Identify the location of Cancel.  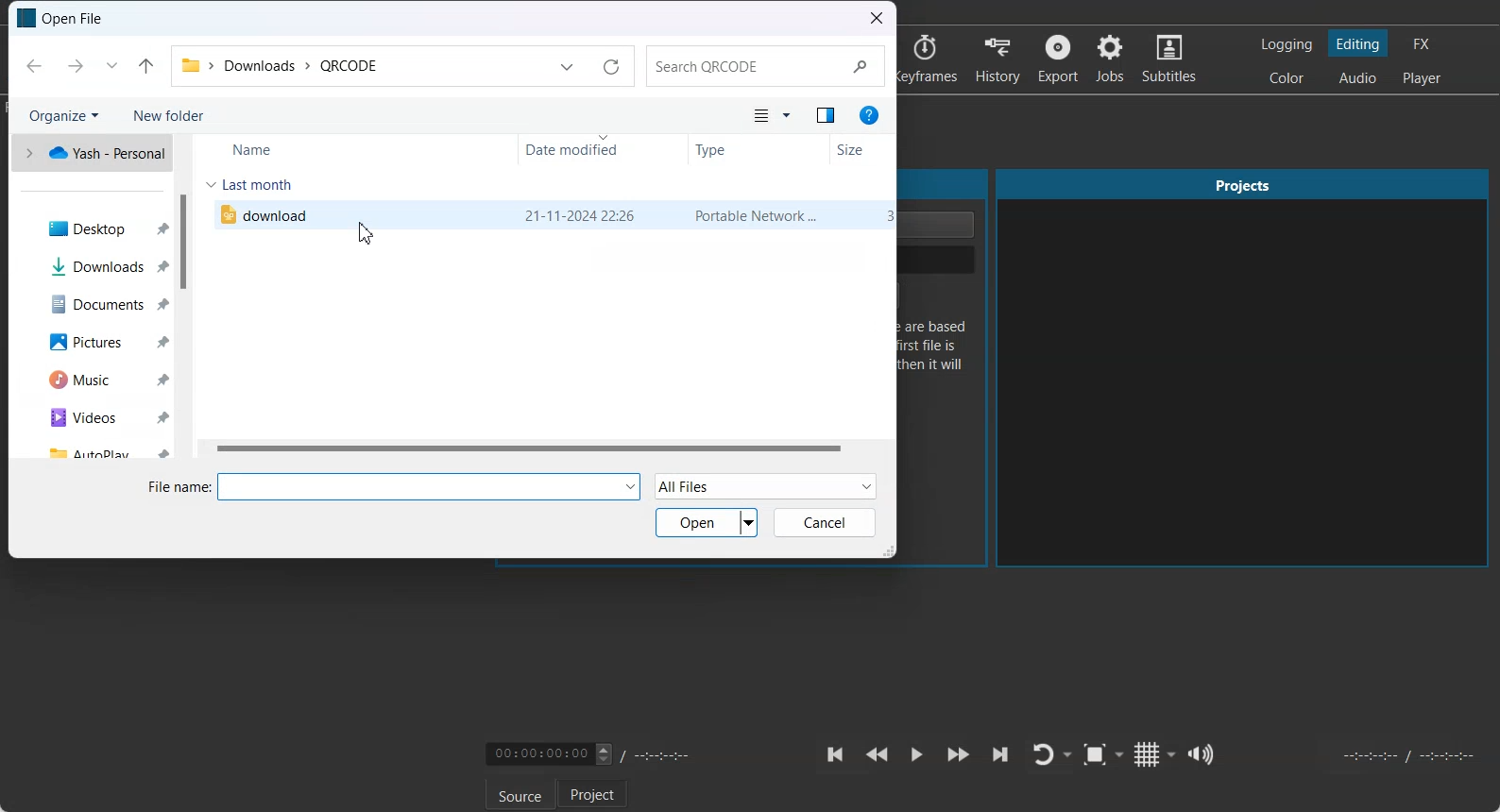
(827, 522).